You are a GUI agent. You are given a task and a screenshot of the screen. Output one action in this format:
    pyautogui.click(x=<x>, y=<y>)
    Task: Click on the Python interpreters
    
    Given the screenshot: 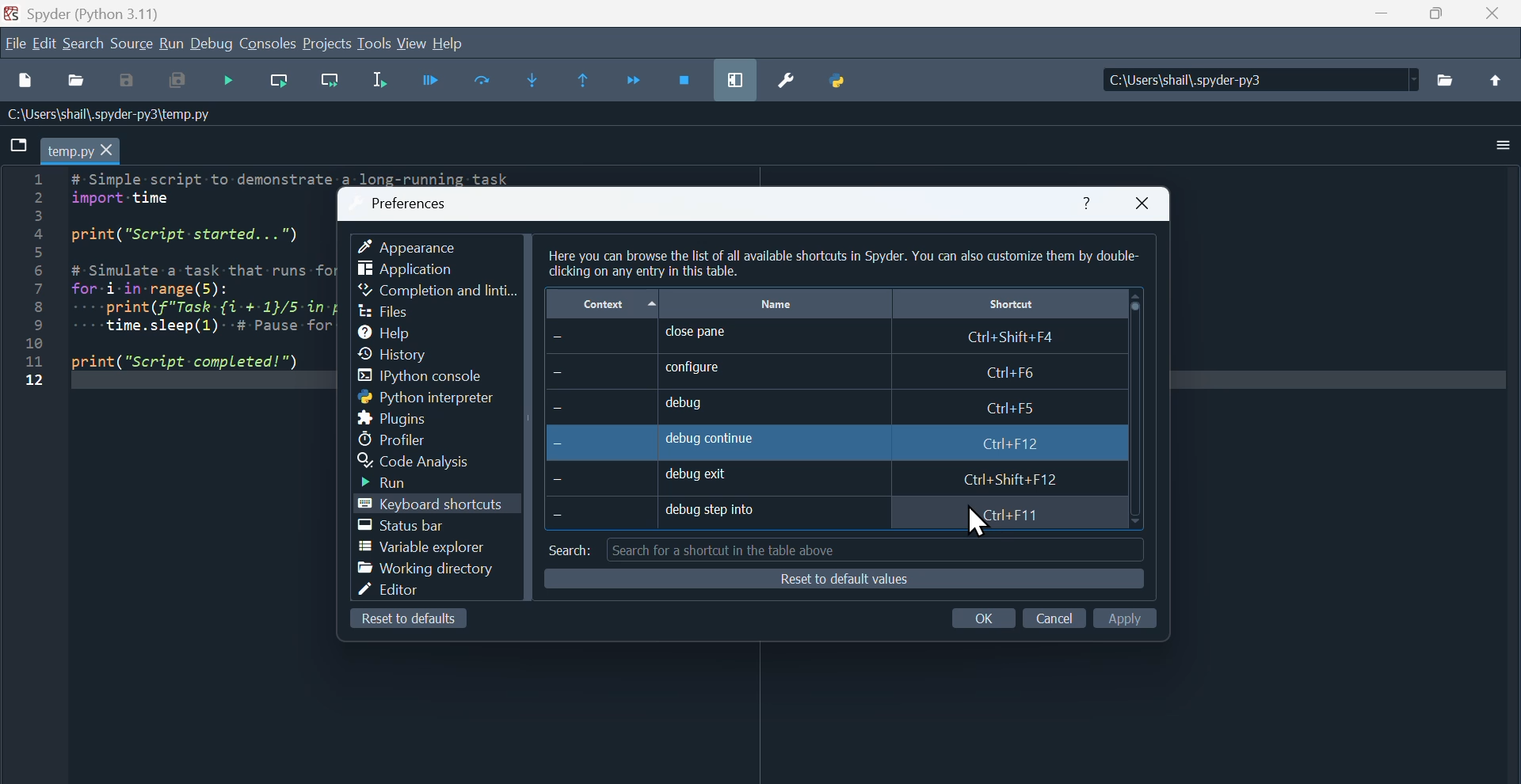 What is the action you would take?
    pyautogui.click(x=408, y=398)
    